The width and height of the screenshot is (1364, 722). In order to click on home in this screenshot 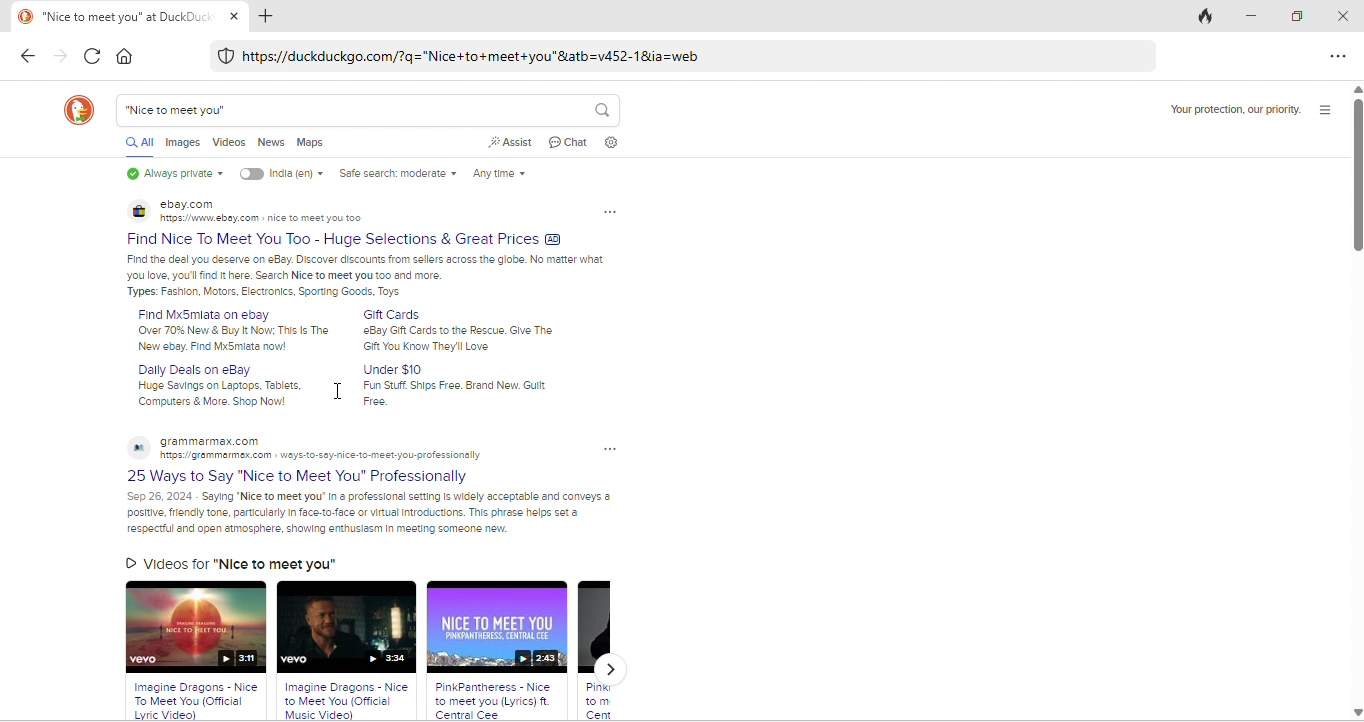, I will do `click(127, 57)`.